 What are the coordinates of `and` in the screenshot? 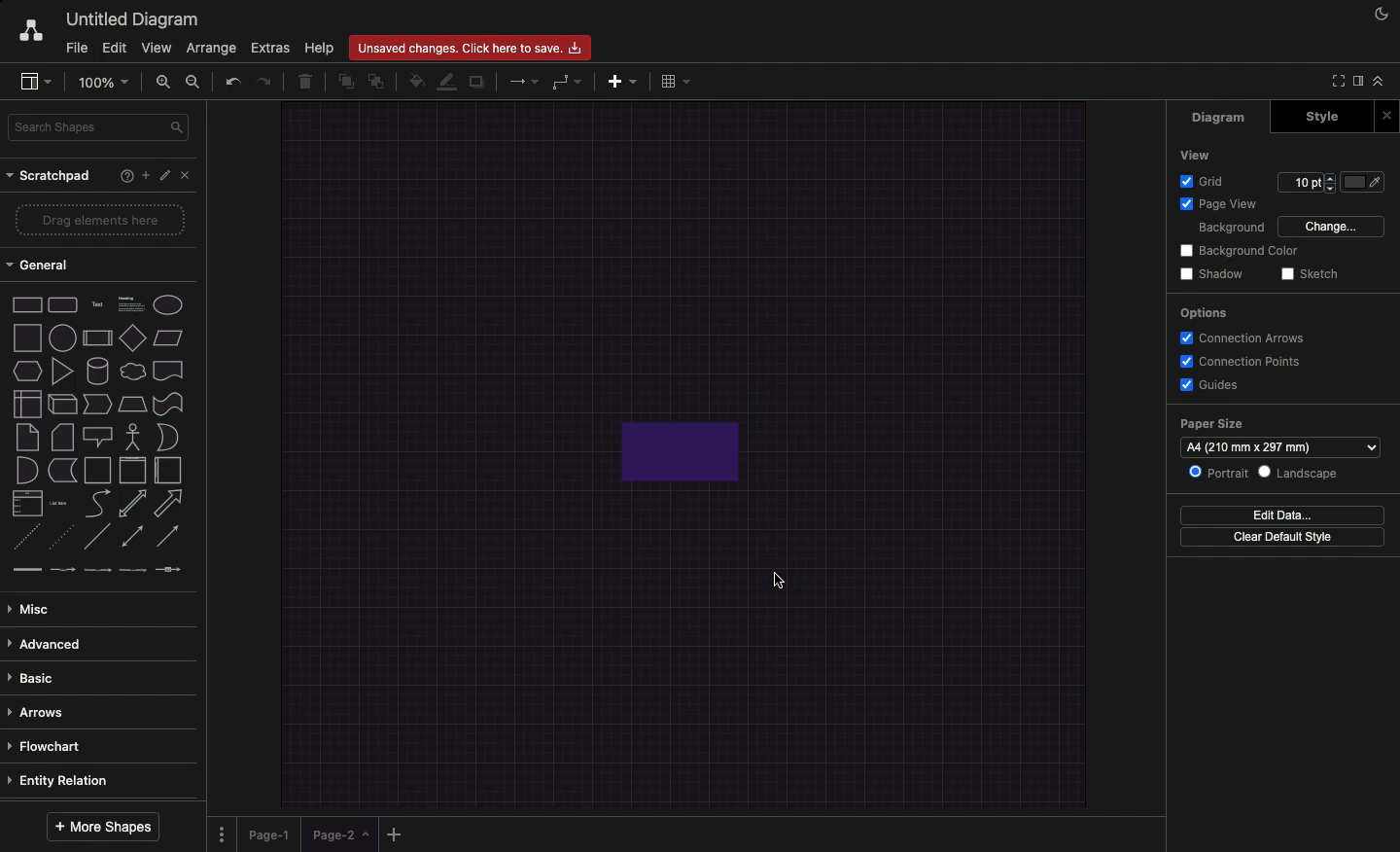 It's located at (26, 471).